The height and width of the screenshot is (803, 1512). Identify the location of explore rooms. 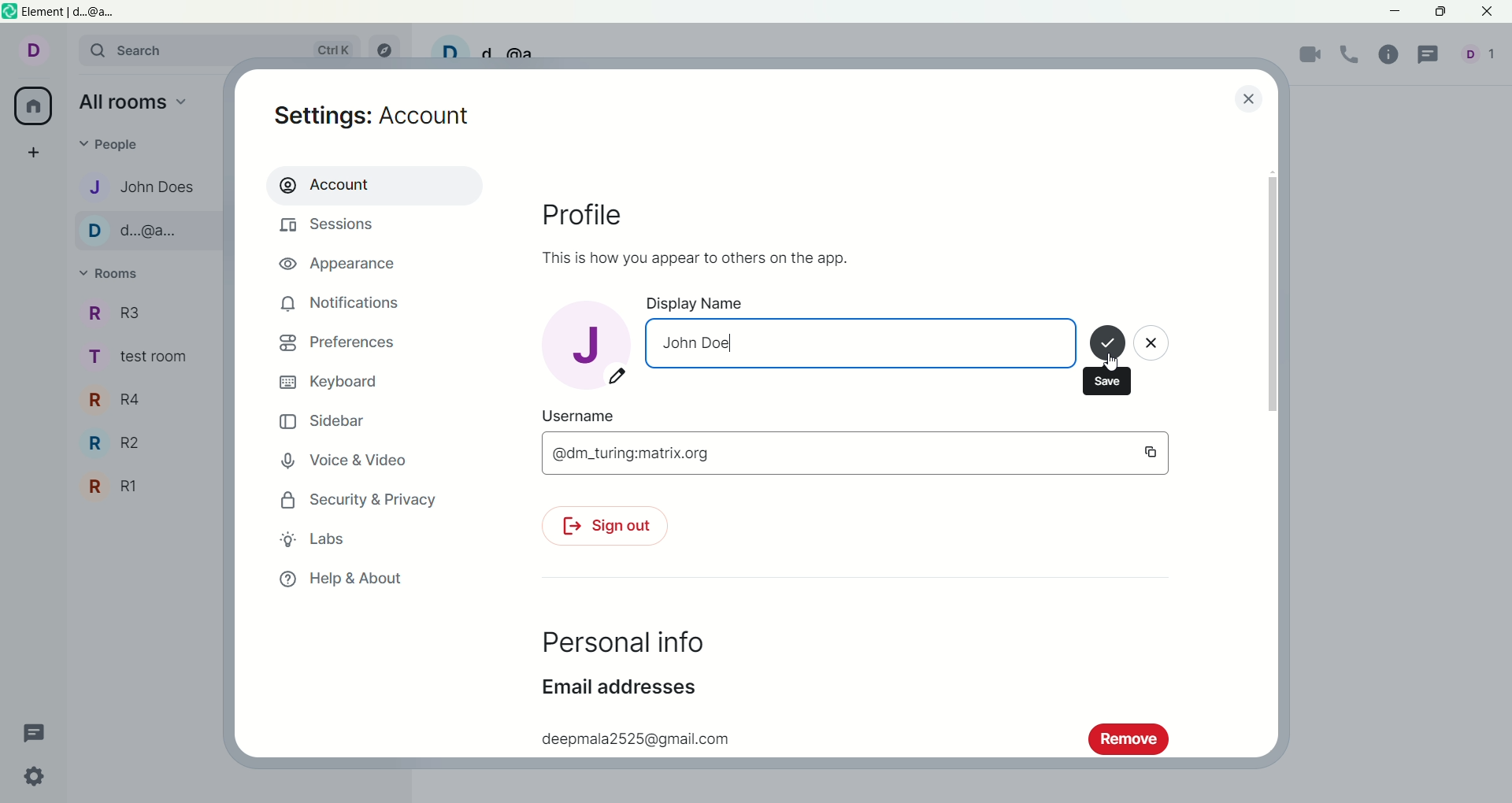
(389, 50).